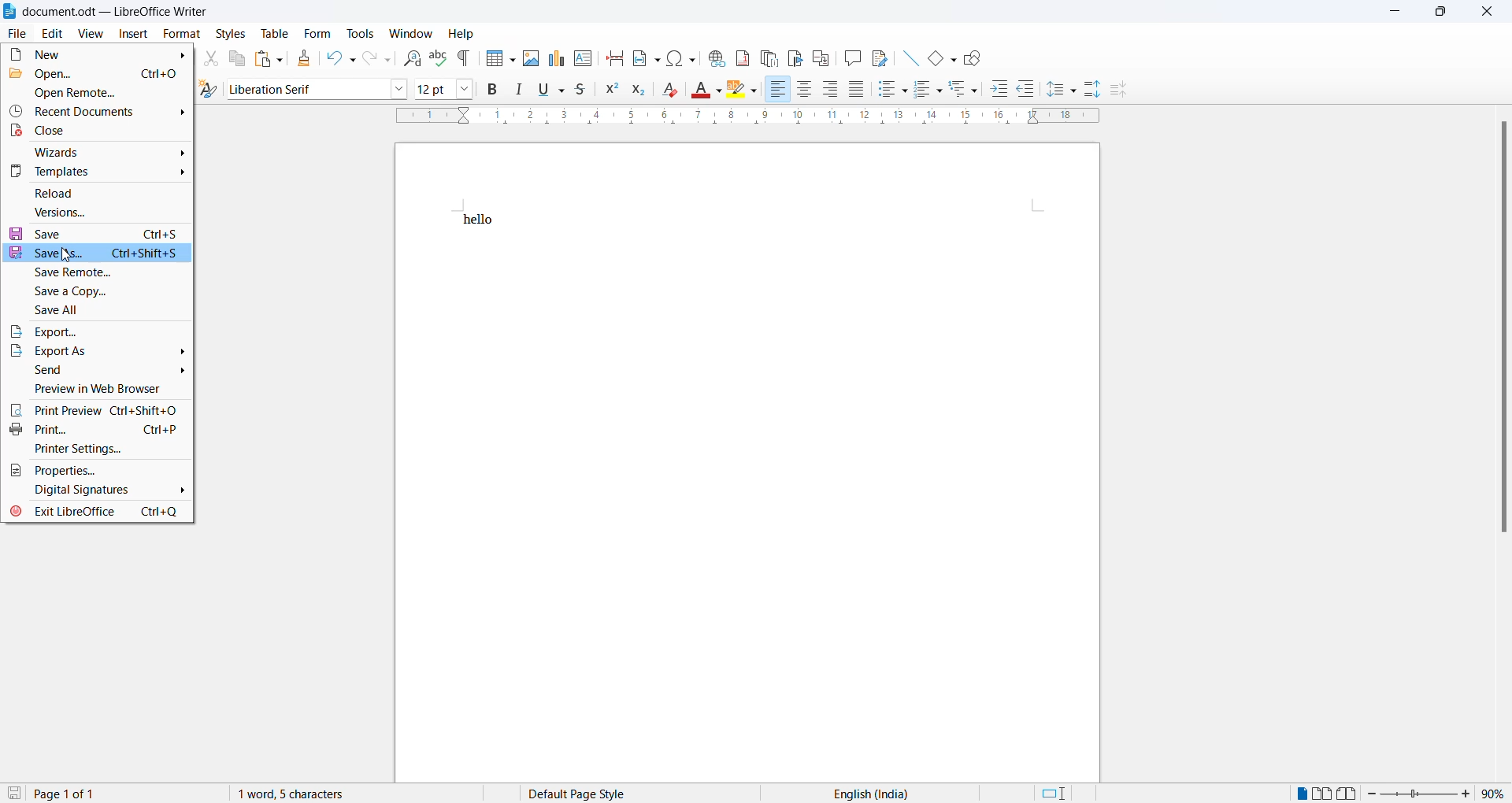 The height and width of the screenshot is (803, 1512). Describe the element at coordinates (89, 34) in the screenshot. I see `View` at that location.